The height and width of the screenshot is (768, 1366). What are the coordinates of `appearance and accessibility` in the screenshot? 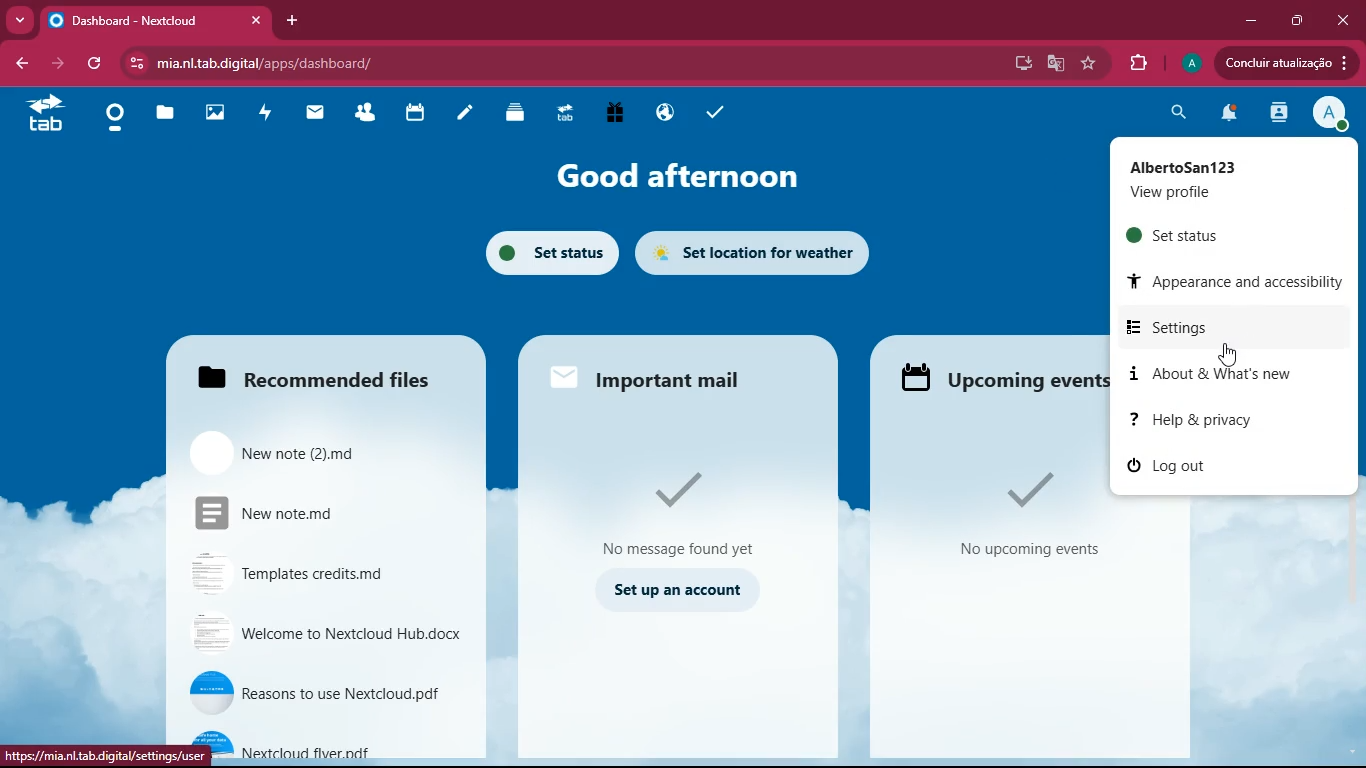 It's located at (1234, 278).